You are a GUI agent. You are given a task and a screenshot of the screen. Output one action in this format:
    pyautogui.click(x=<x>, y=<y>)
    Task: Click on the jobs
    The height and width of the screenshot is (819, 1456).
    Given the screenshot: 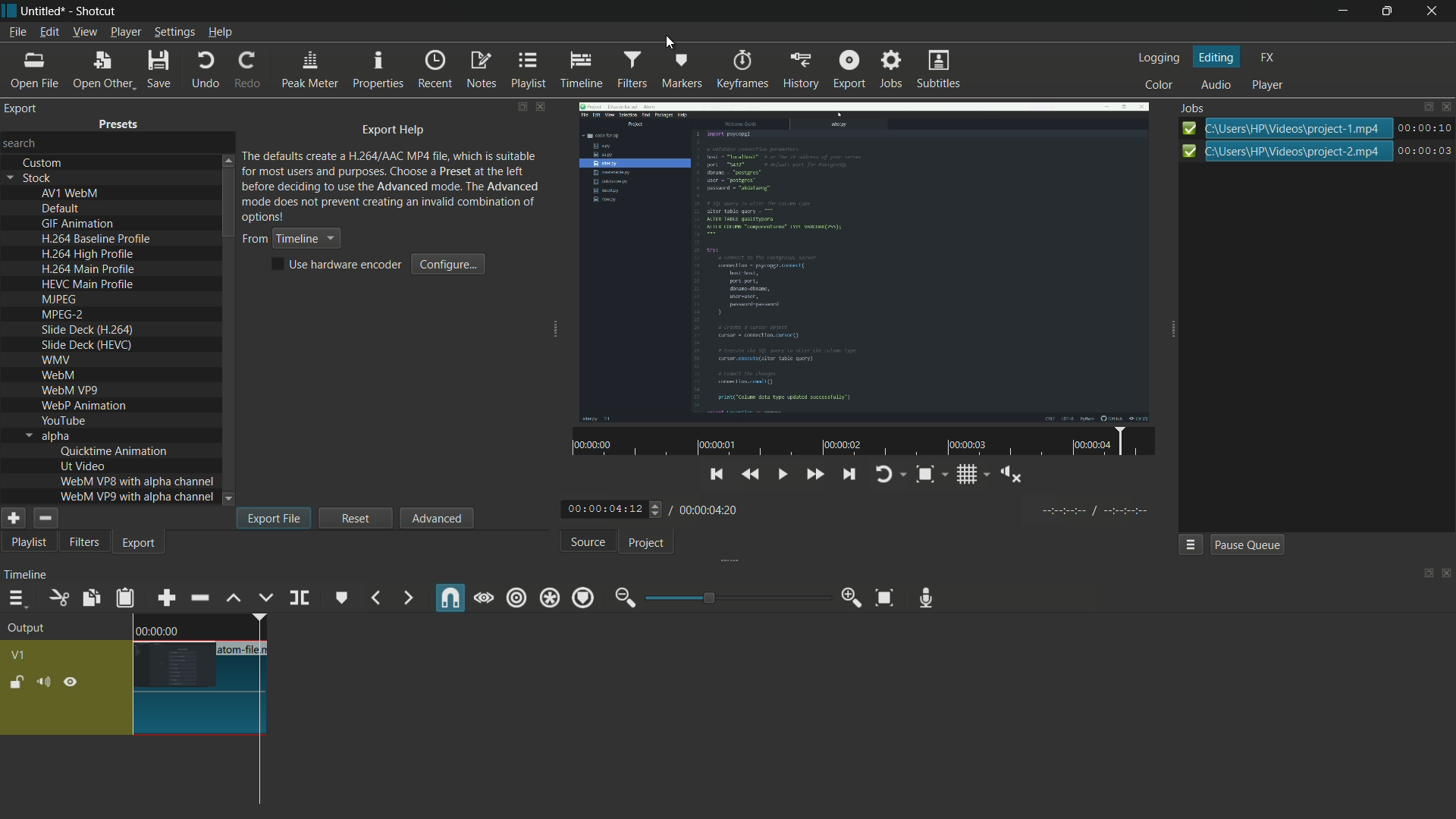 What is the action you would take?
    pyautogui.click(x=893, y=70)
    